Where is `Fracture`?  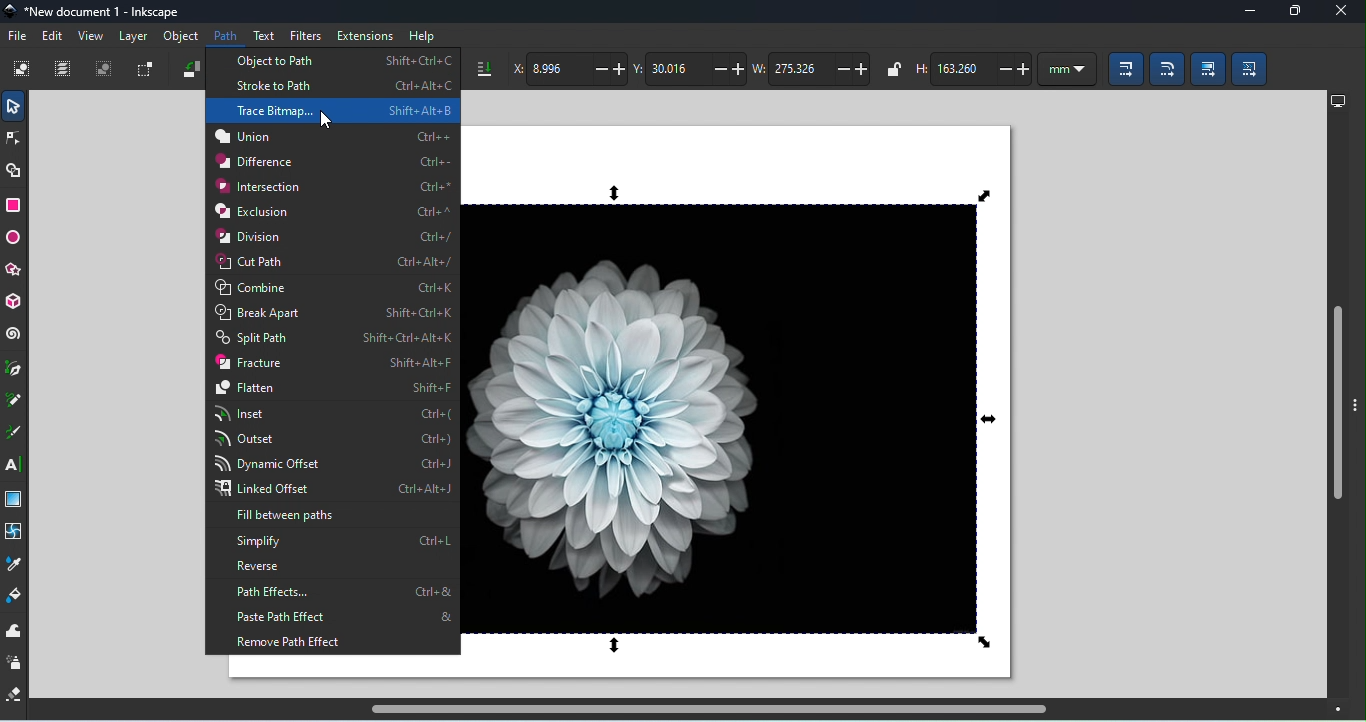
Fracture is located at coordinates (331, 361).